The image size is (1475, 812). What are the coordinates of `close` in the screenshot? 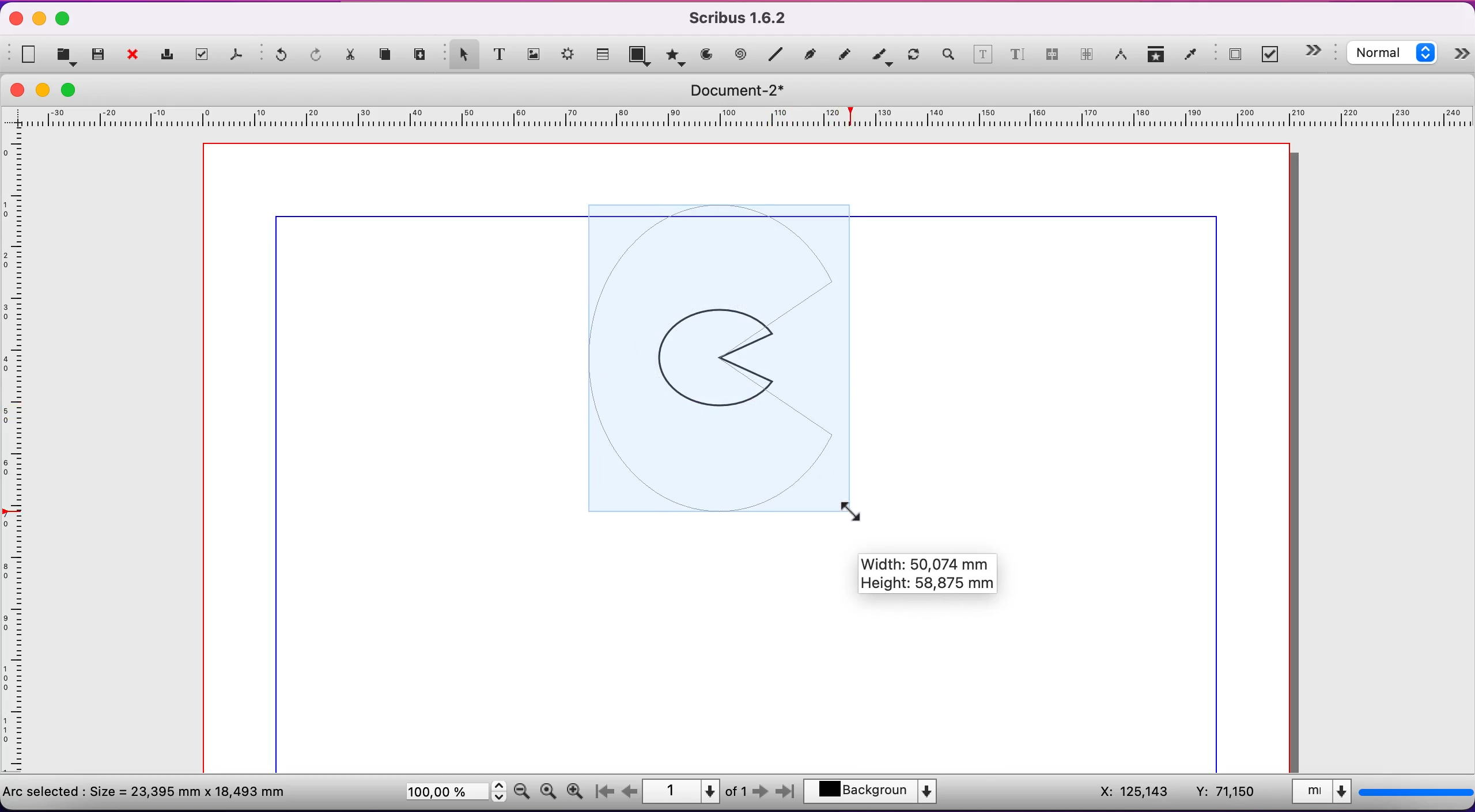 It's located at (136, 56).